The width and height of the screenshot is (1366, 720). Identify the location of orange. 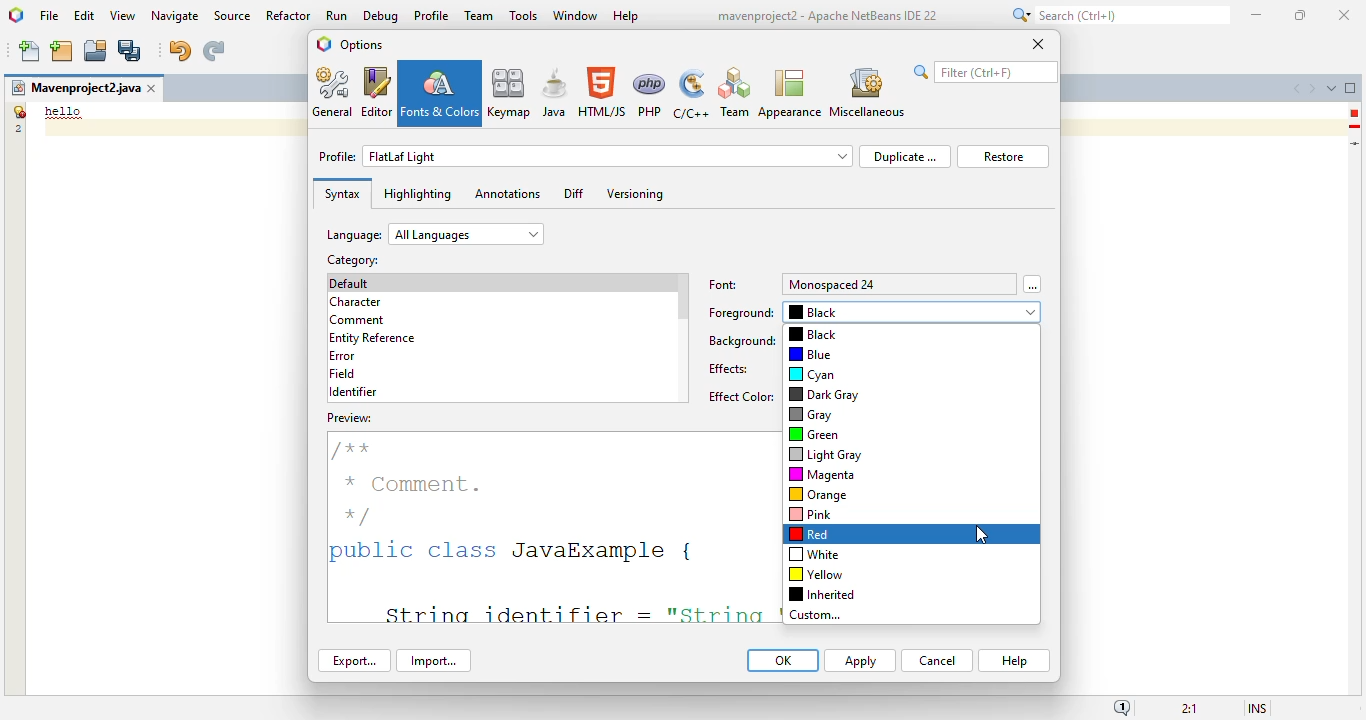
(818, 494).